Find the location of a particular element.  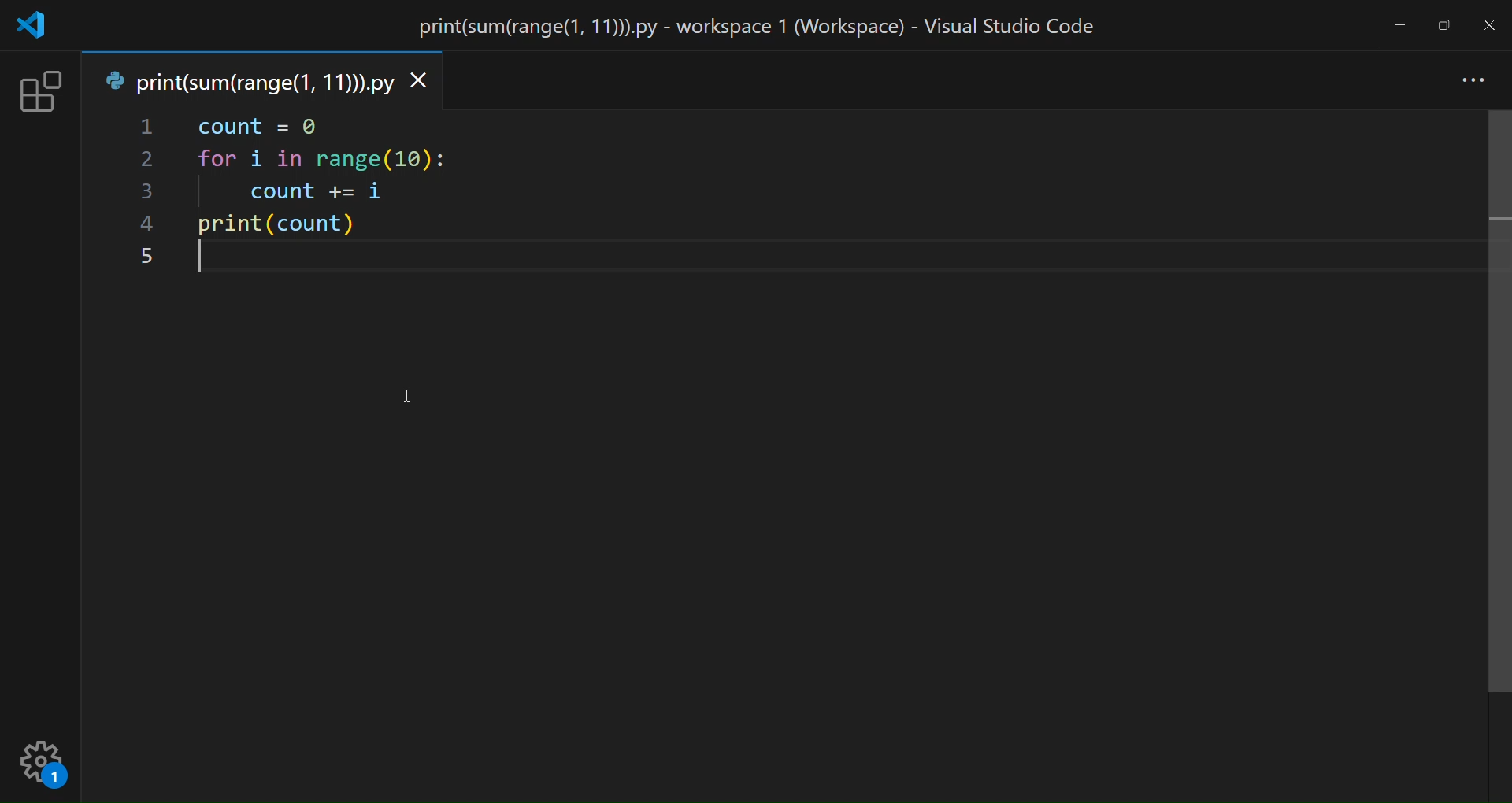

logo is located at coordinates (33, 26).